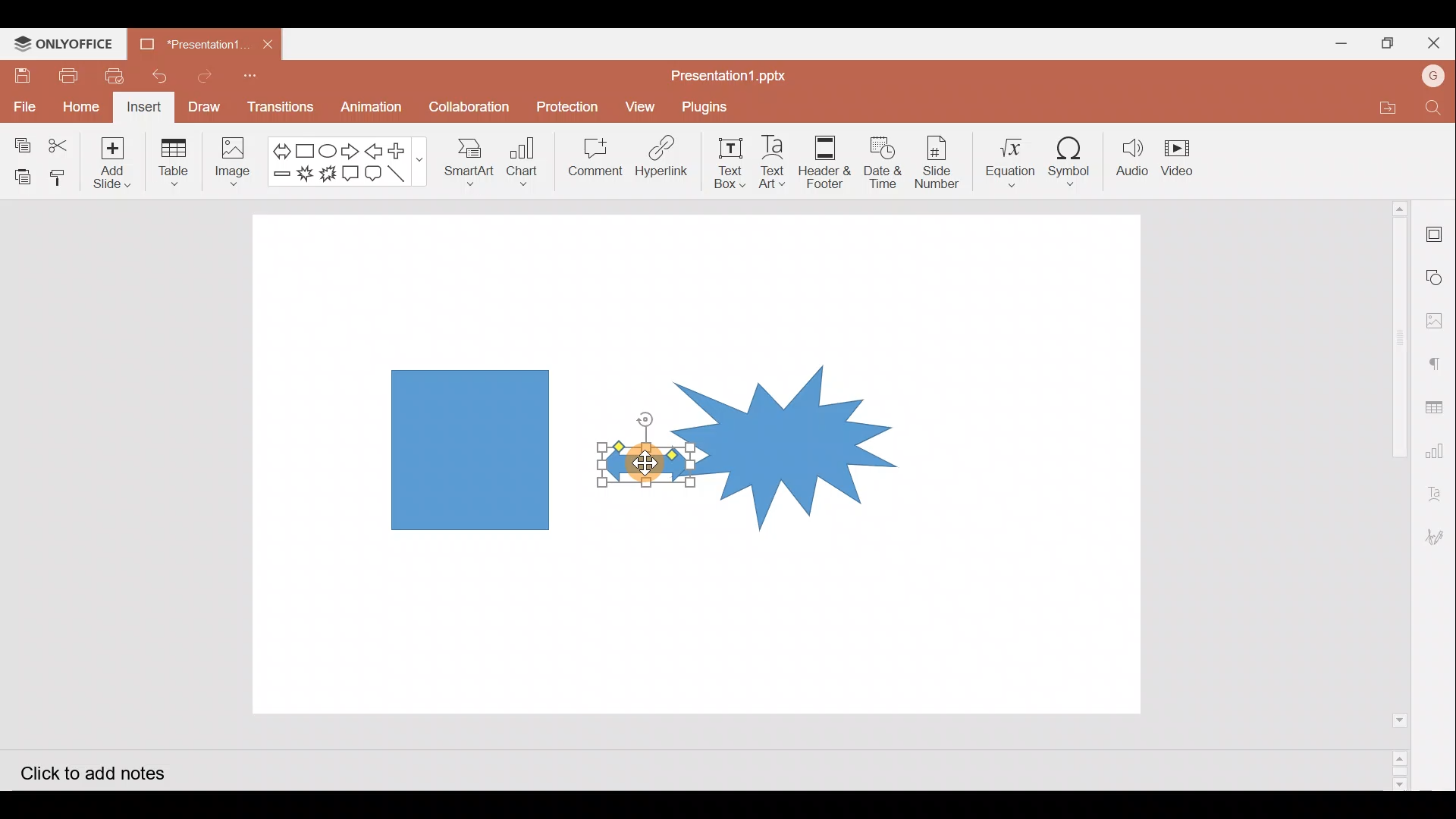  I want to click on Presentation1., so click(195, 40).